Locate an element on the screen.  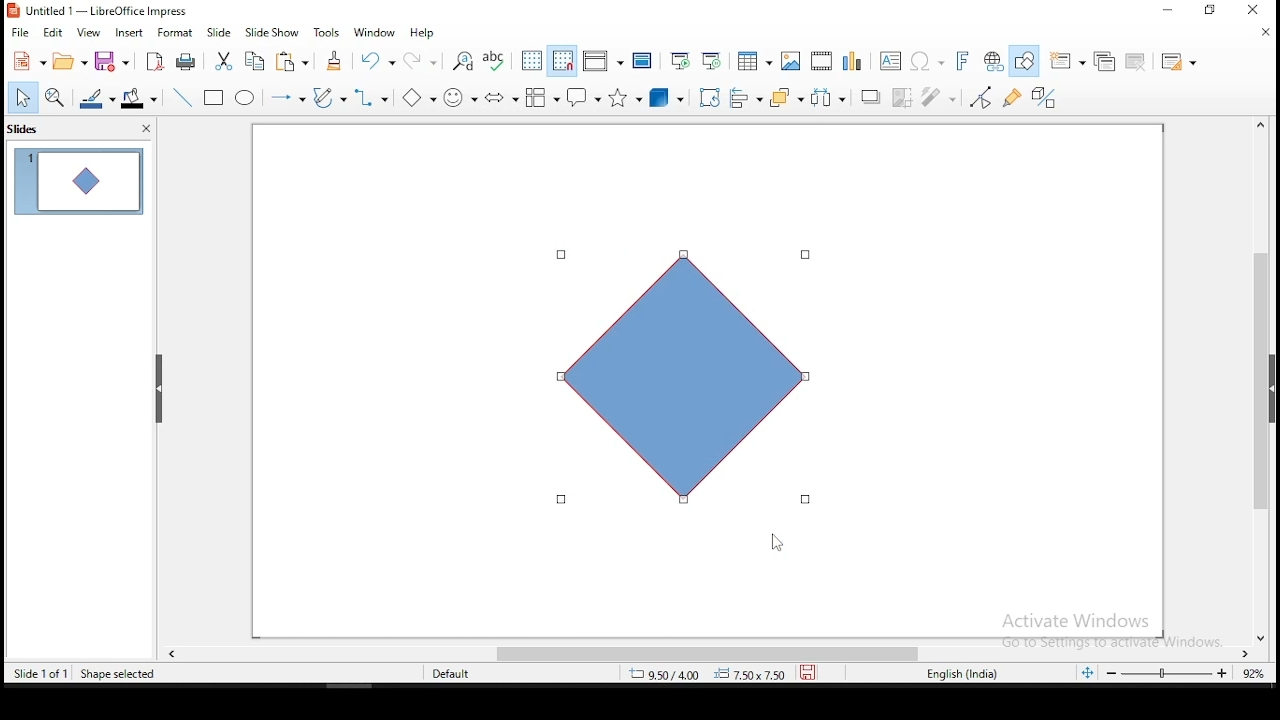
show draw functions is located at coordinates (1027, 60).